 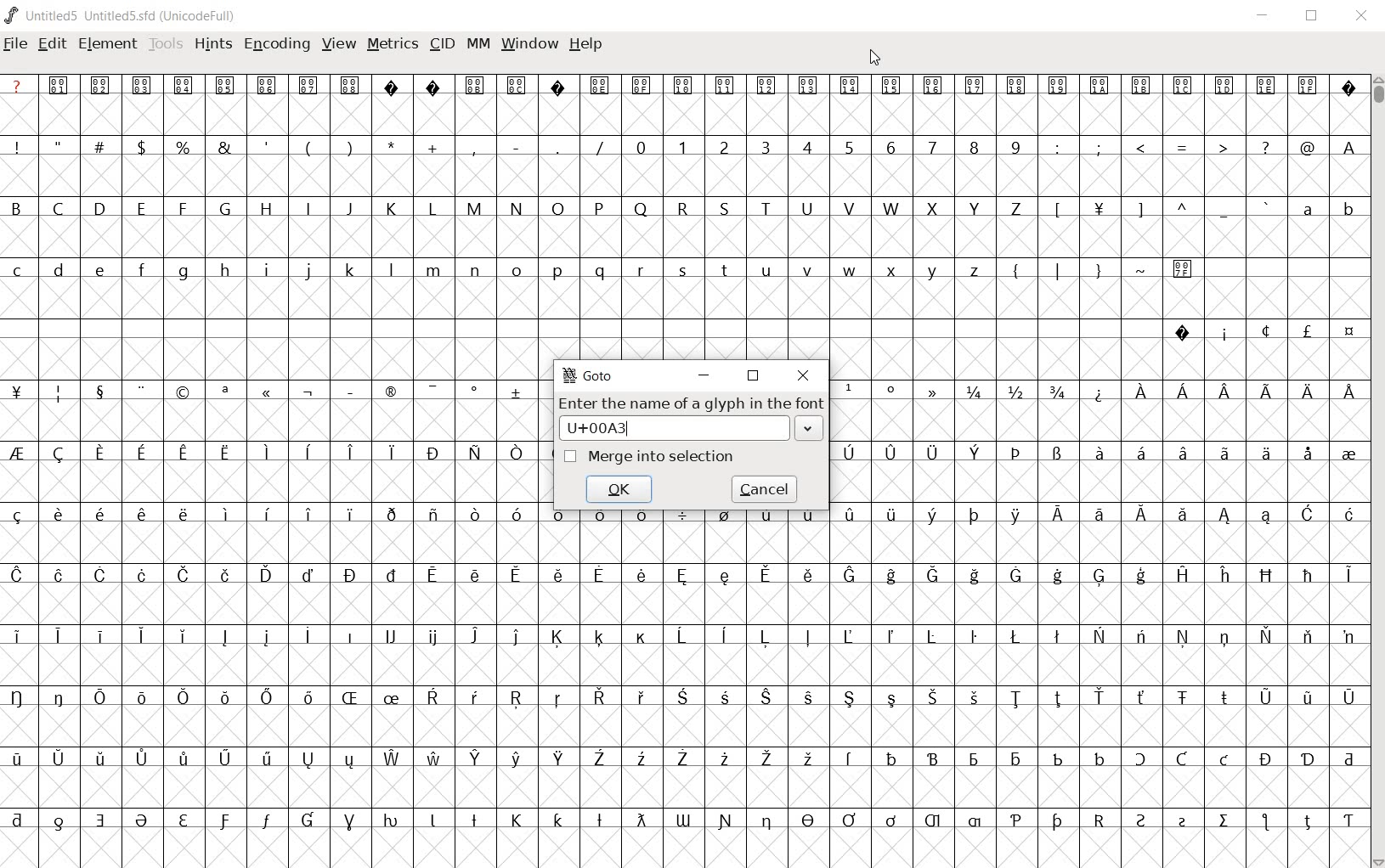 I want to click on <, so click(x=1139, y=148).